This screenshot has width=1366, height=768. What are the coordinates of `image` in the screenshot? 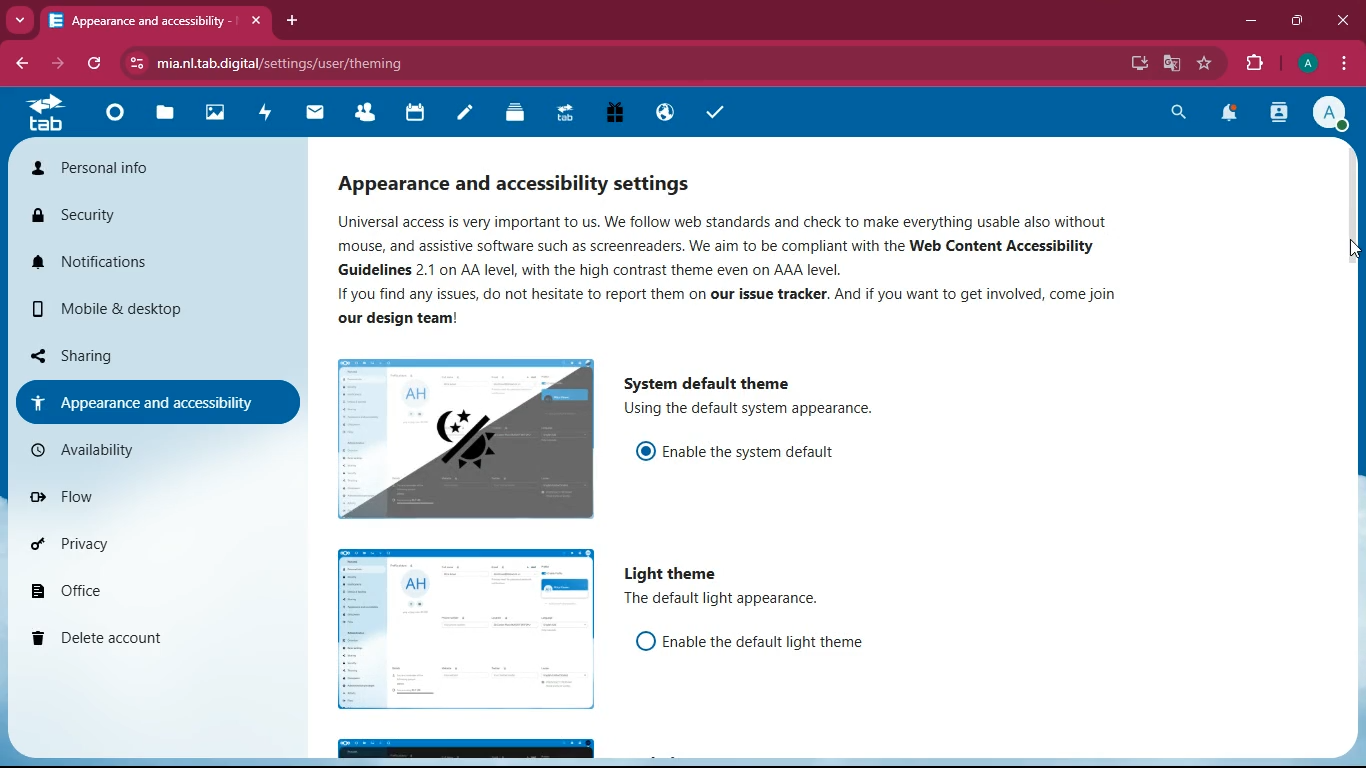 It's located at (466, 633).